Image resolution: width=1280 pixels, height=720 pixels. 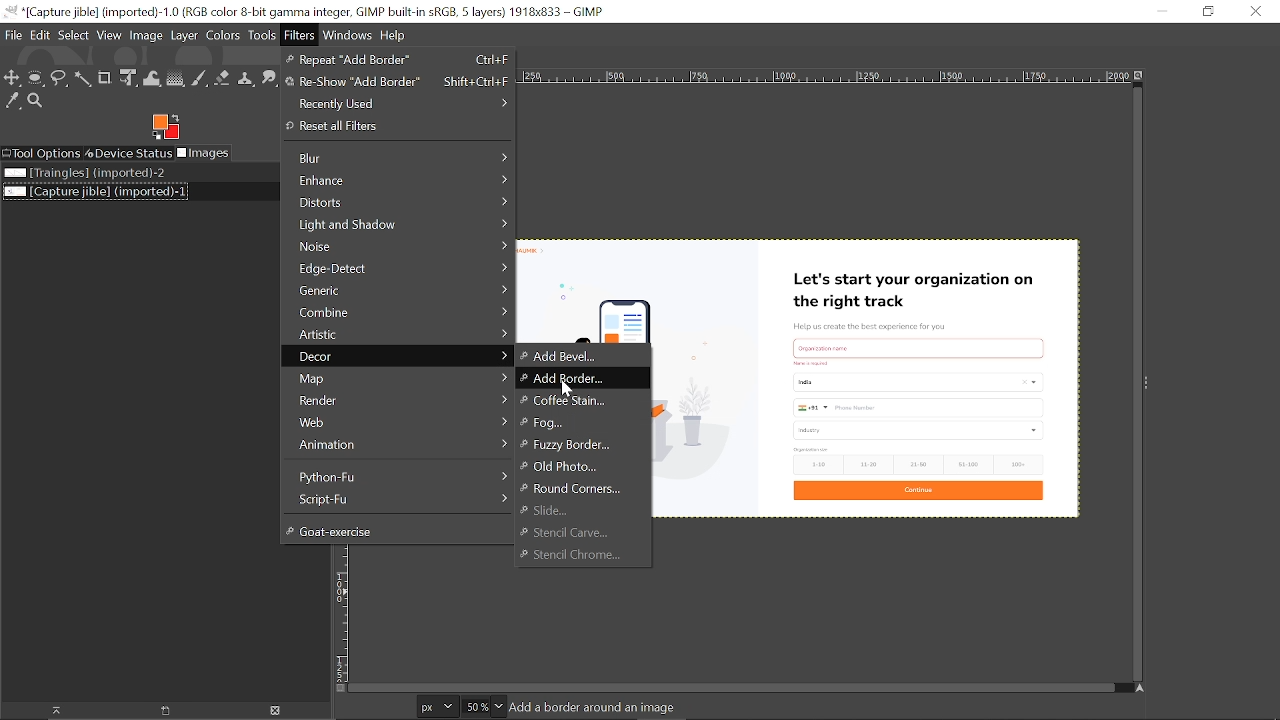 I want to click on Script-Fu, so click(x=398, y=500).